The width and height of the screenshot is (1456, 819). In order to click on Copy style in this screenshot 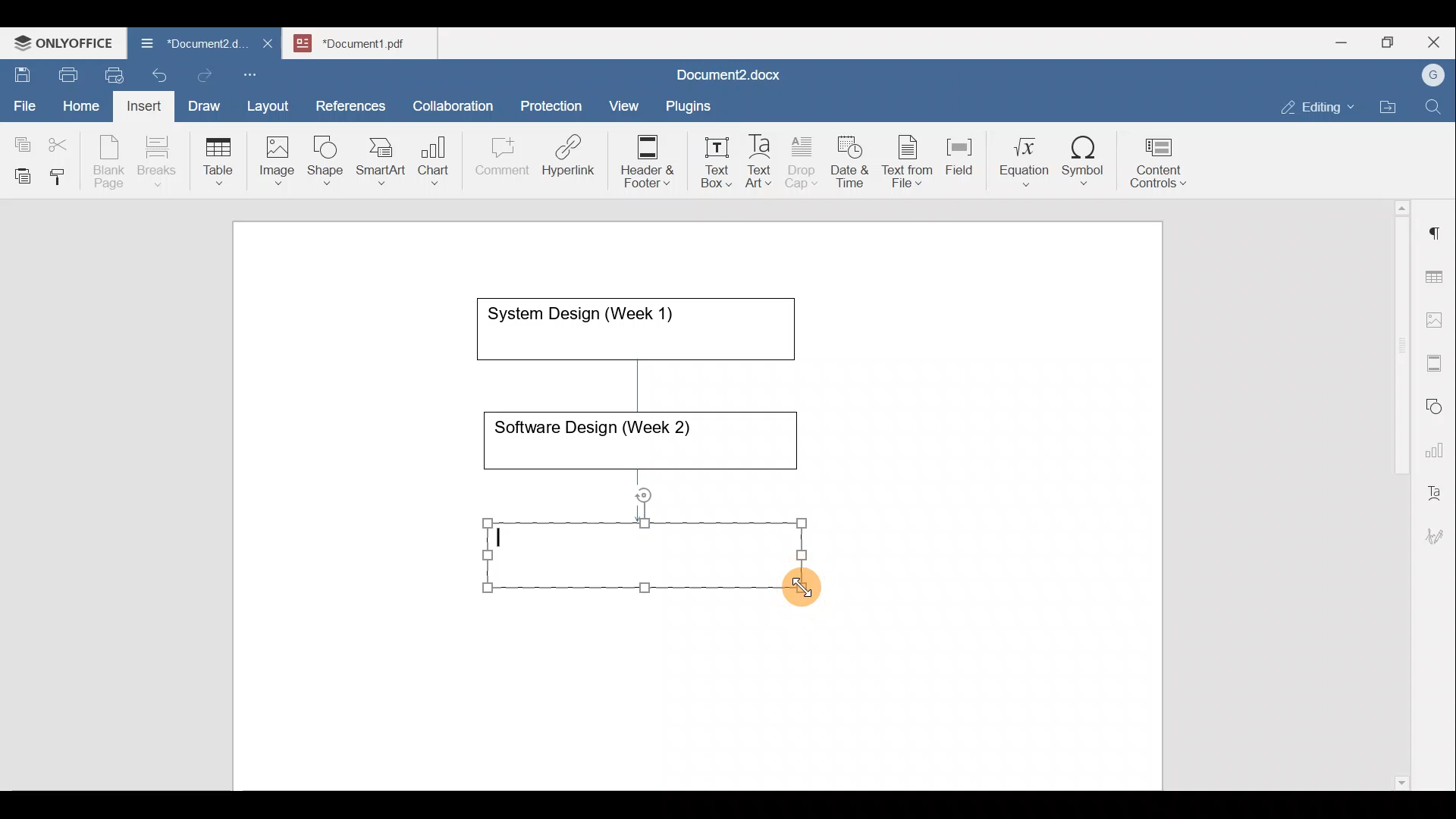, I will do `click(63, 173)`.